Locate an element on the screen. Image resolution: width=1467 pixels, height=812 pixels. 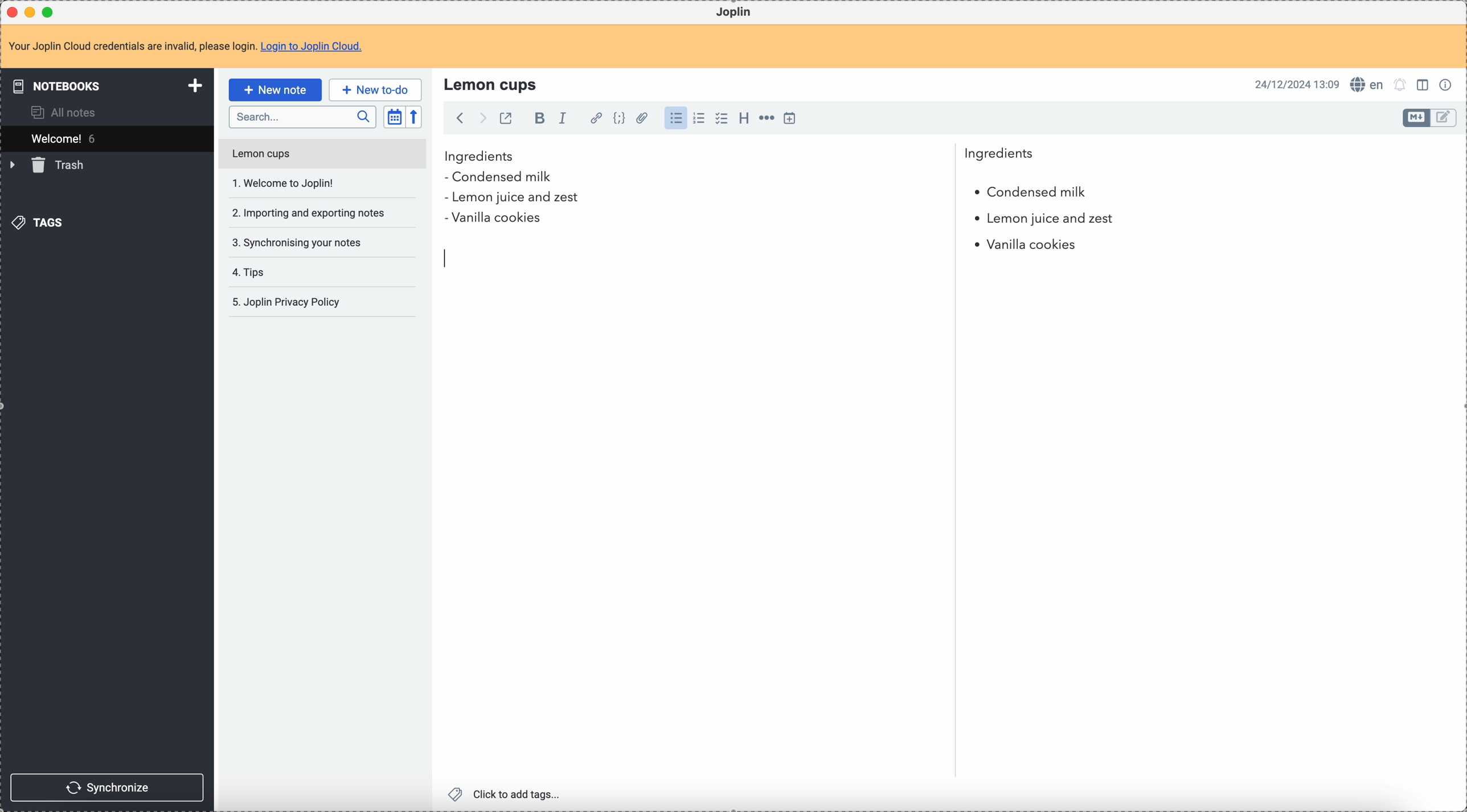
click to add tags is located at coordinates (507, 793).